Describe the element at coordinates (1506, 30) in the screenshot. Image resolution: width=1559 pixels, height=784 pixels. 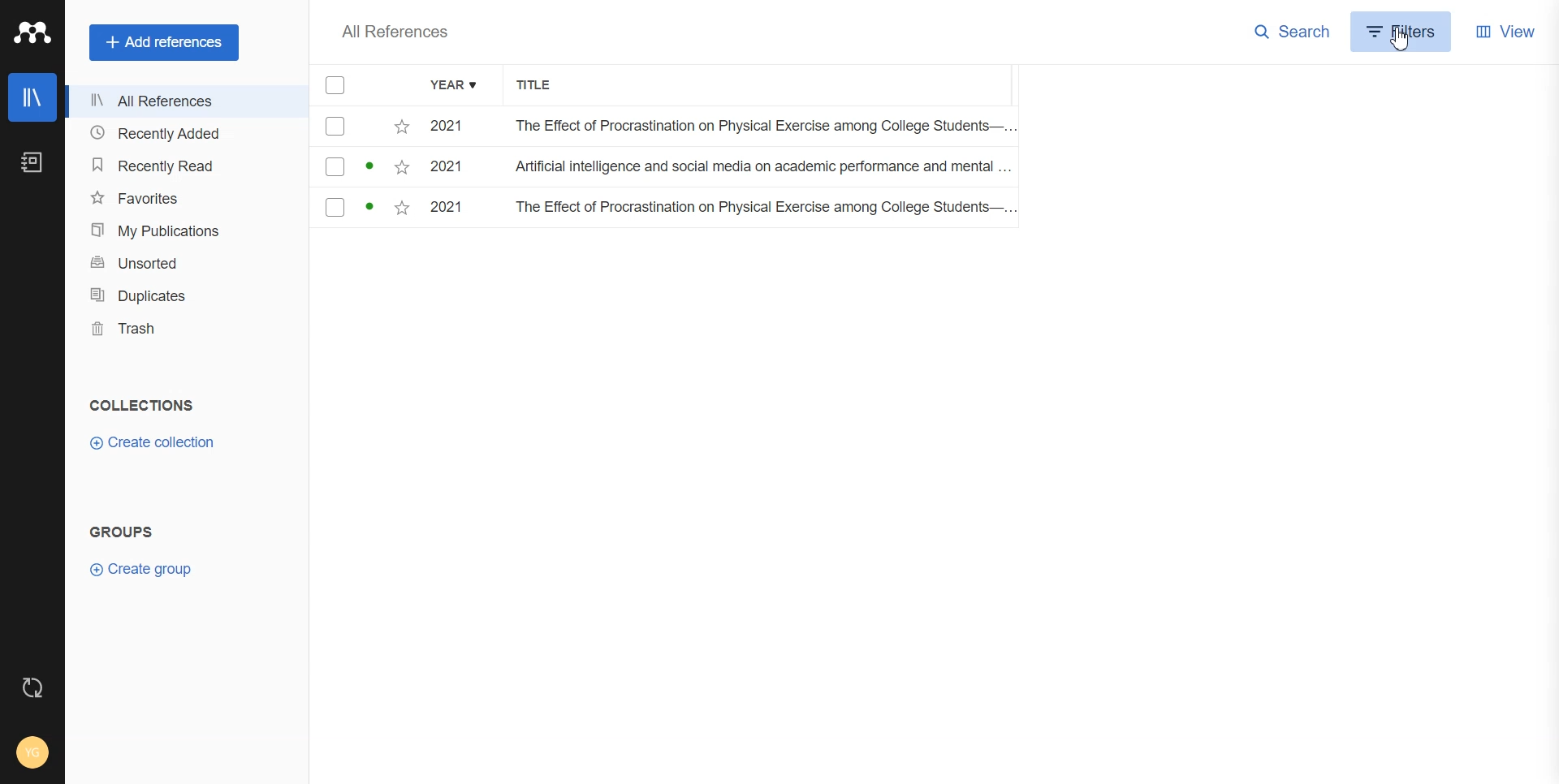
I see `View` at that location.